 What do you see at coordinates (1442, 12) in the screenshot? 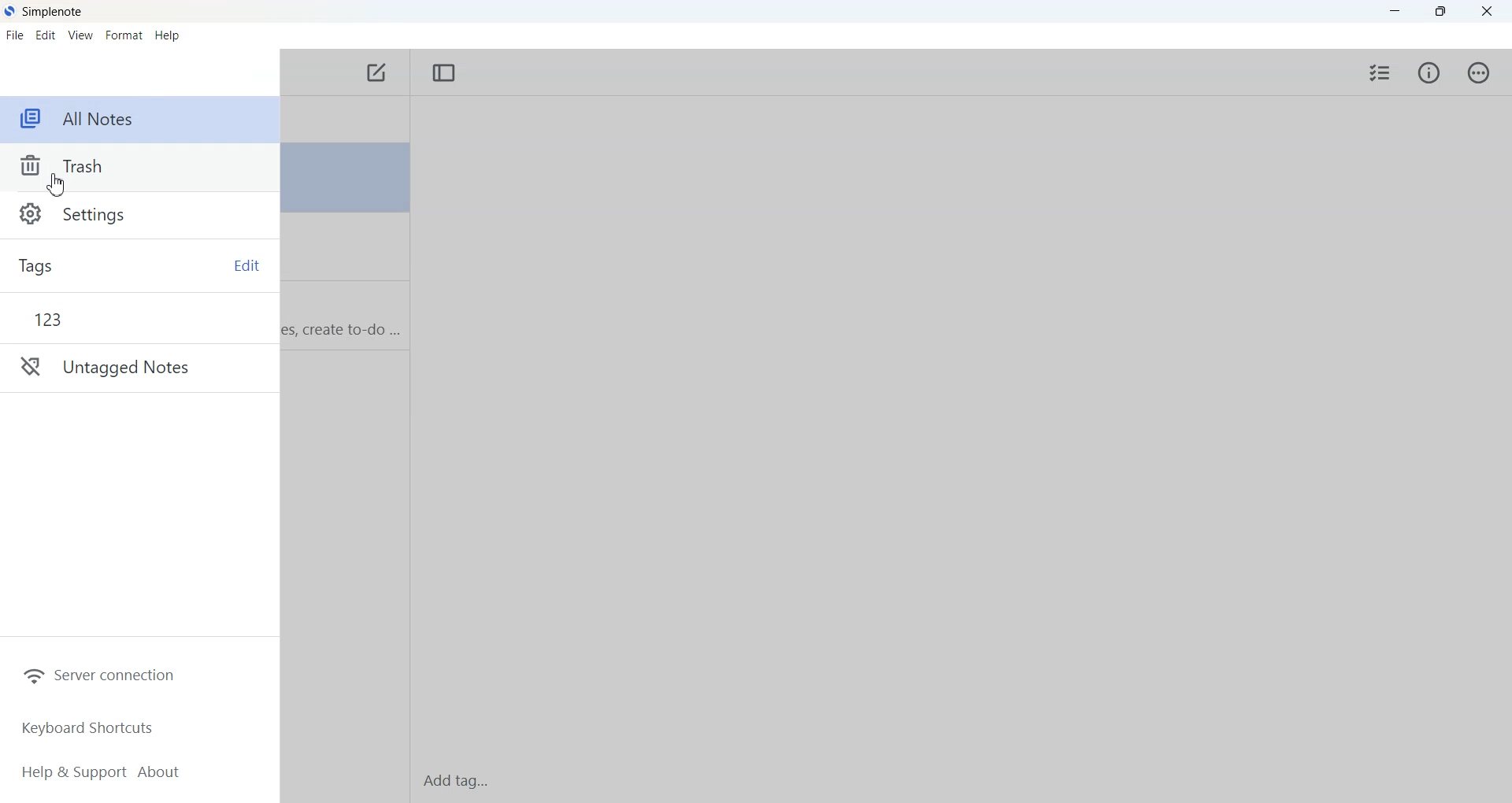
I see `Maximize` at bounding box center [1442, 12].